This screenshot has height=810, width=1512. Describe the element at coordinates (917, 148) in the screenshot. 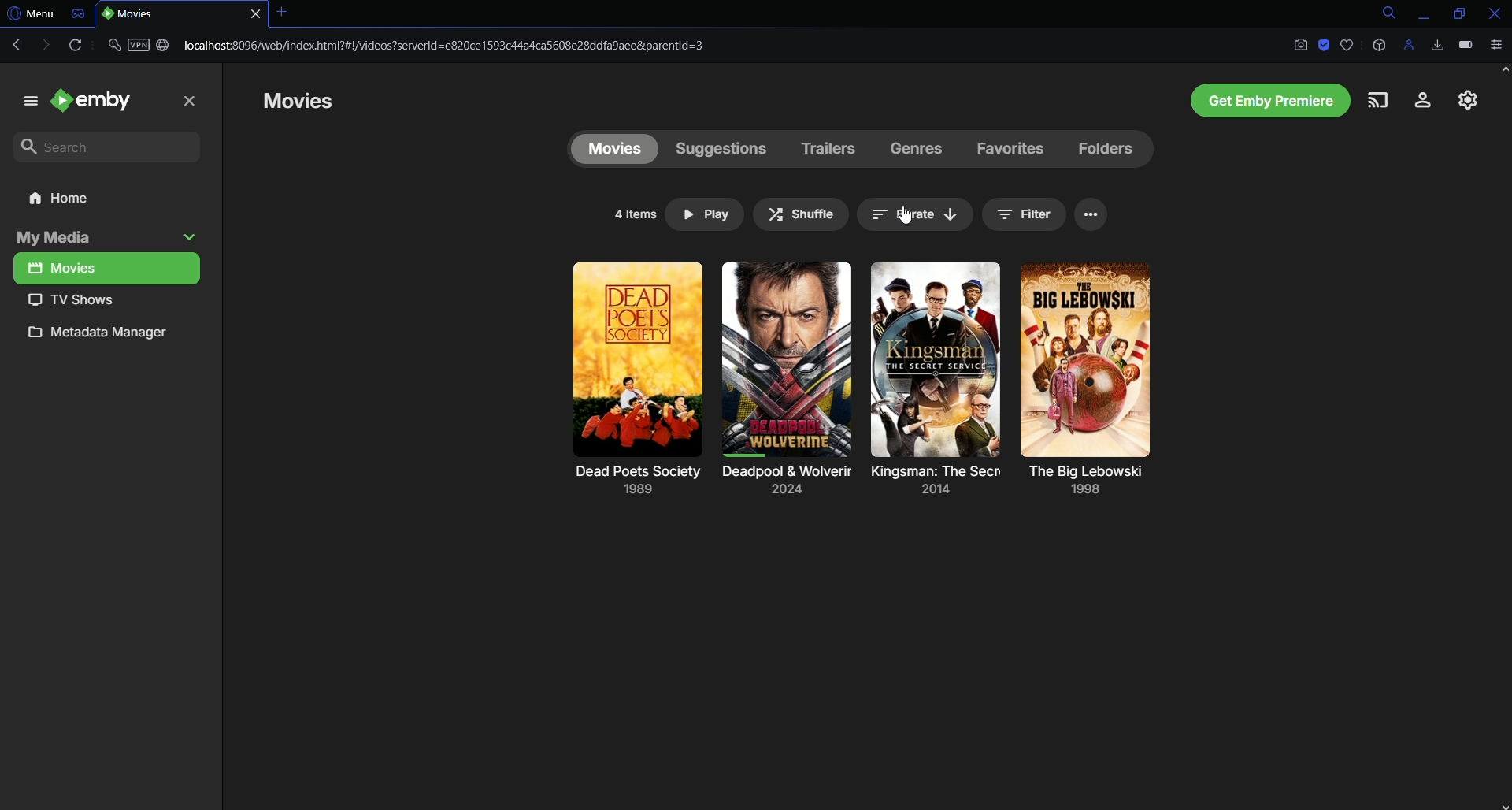

I see `Genres` at that location.